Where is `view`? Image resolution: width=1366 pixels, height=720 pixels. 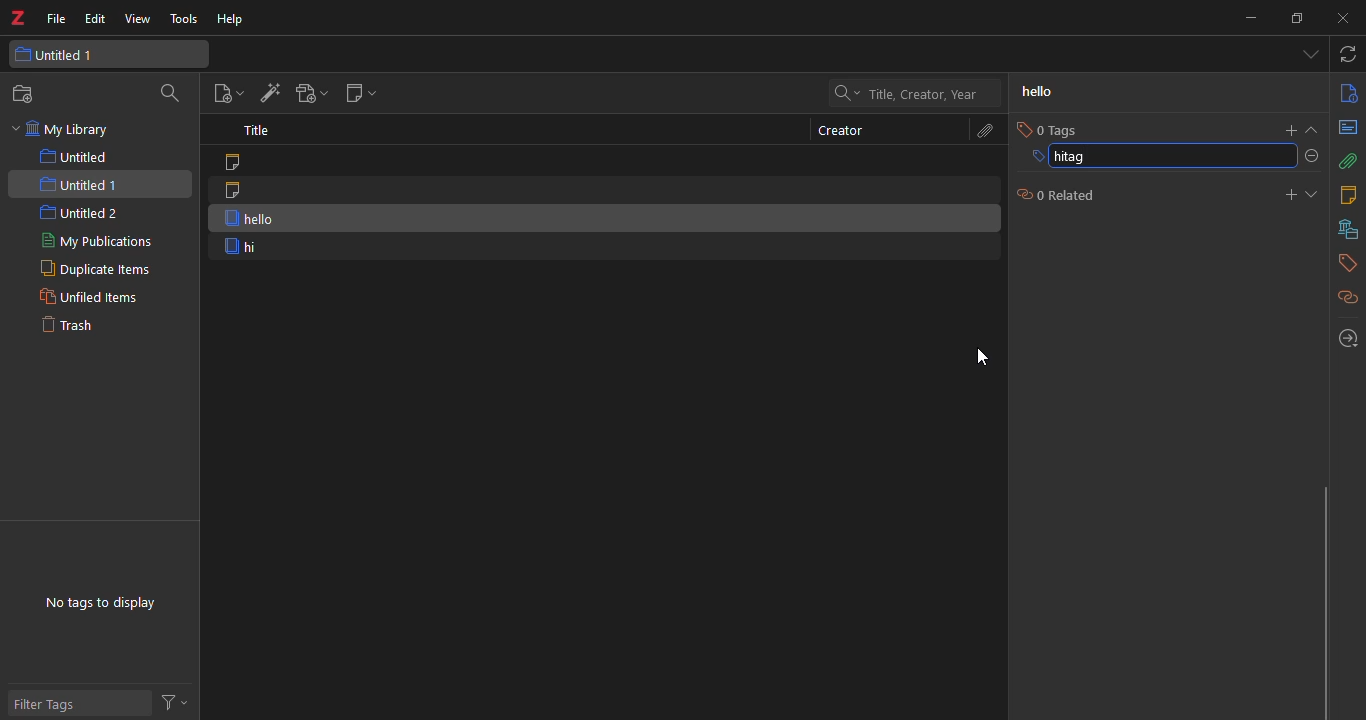 view is located at coordinates (136, 19).